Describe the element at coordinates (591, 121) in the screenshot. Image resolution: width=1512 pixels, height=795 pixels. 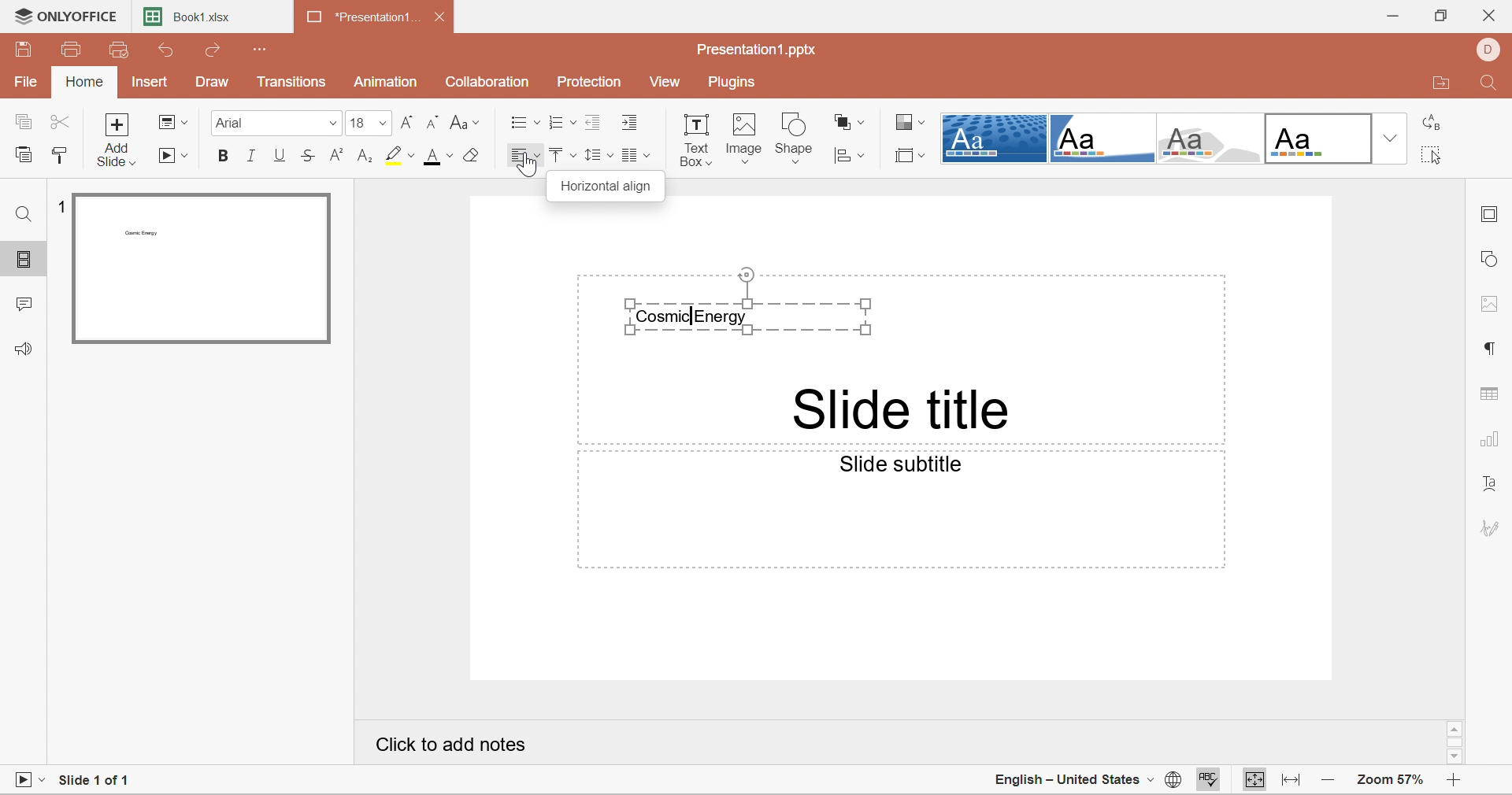
I see `Decrease Indent` at that location.